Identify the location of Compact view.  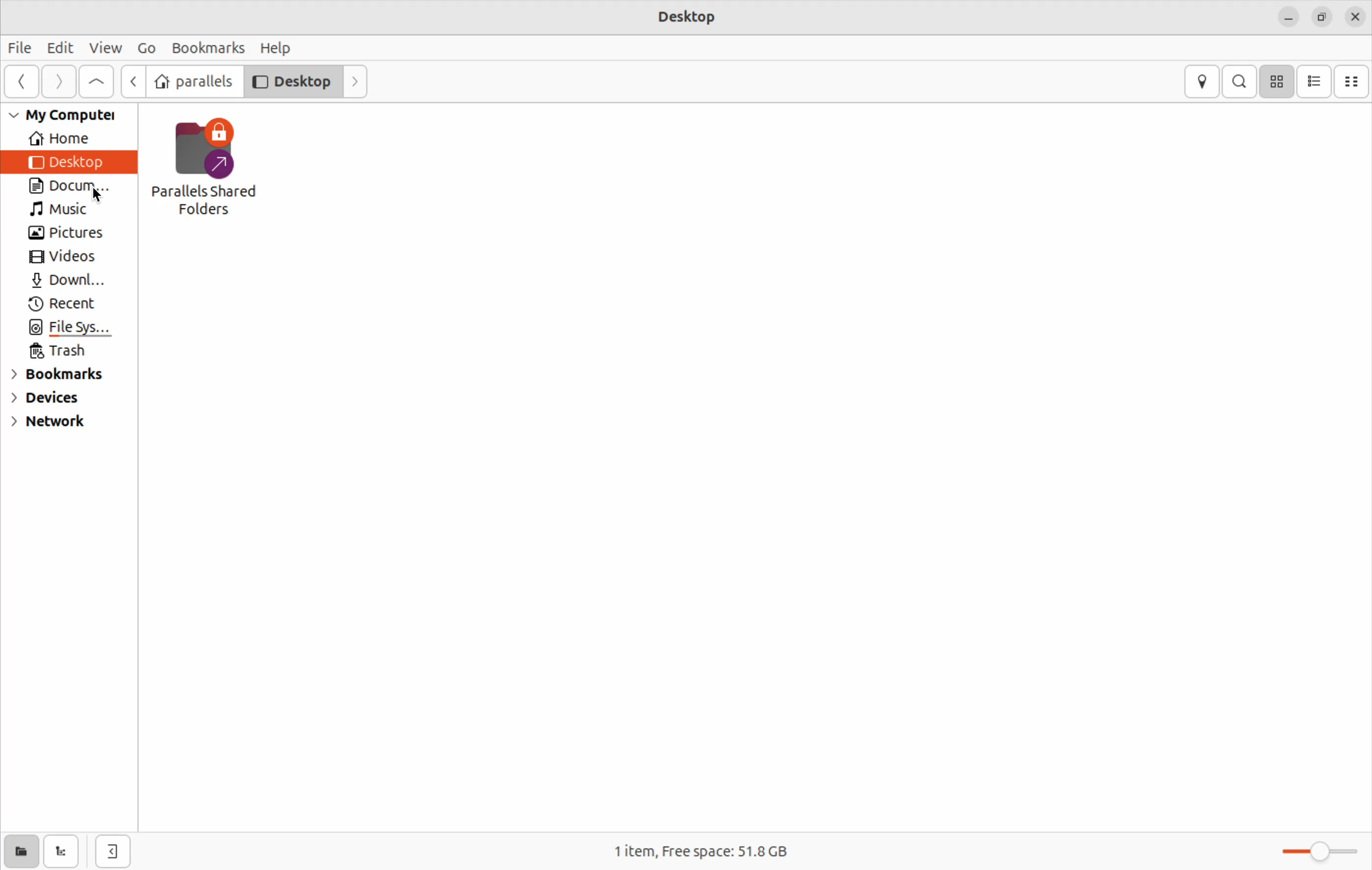
(1354, 81).